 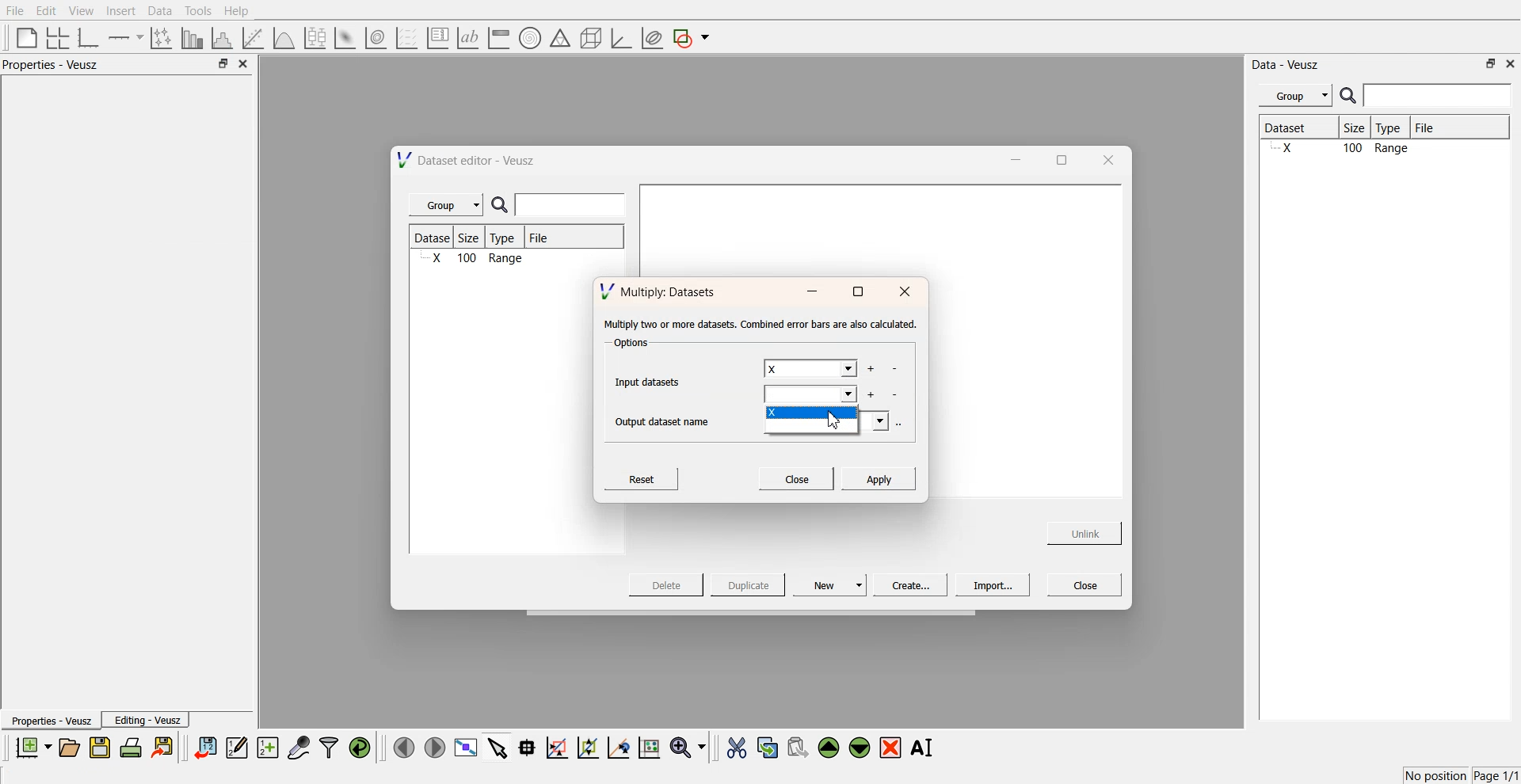 What do you see at coordinates (586, 747) in the screenshot?
I see `zoom out the graph axes` at bounding box center [586, 747].